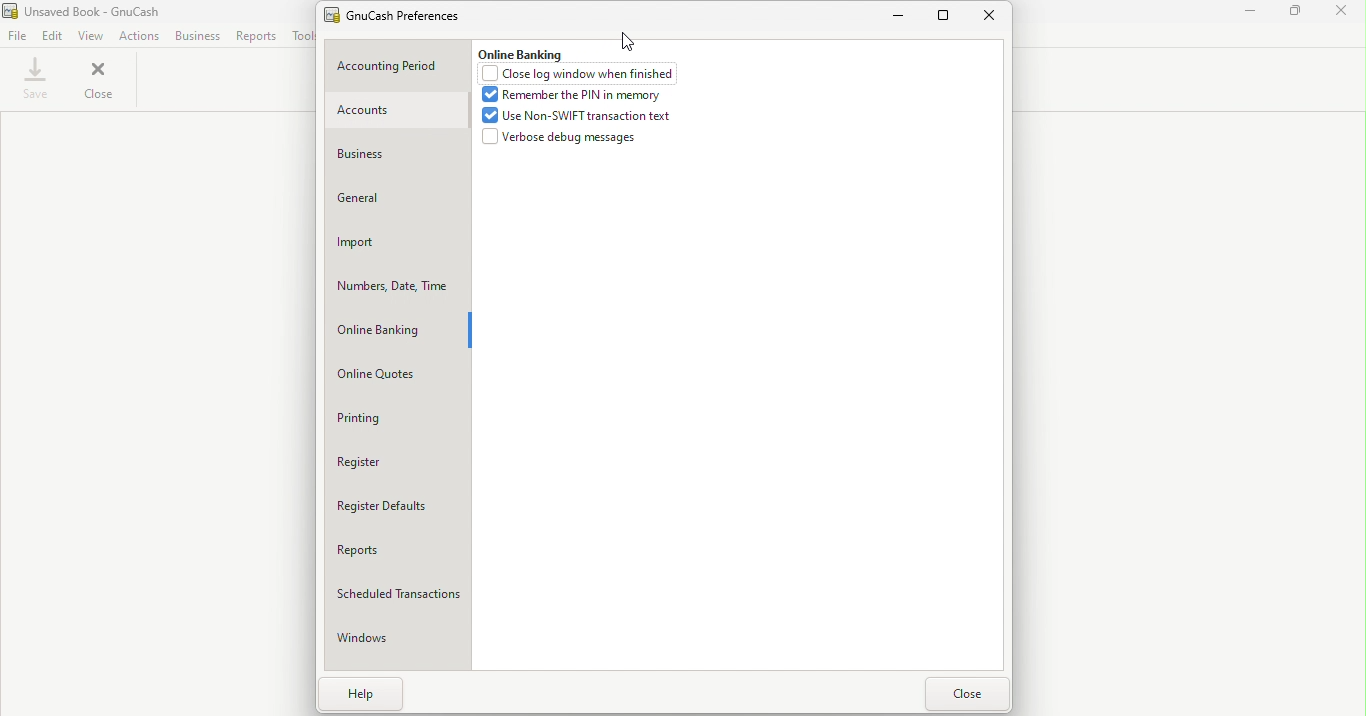 This screenshot has height=716, width=1366. I want to click on Close, so click(101, 81).